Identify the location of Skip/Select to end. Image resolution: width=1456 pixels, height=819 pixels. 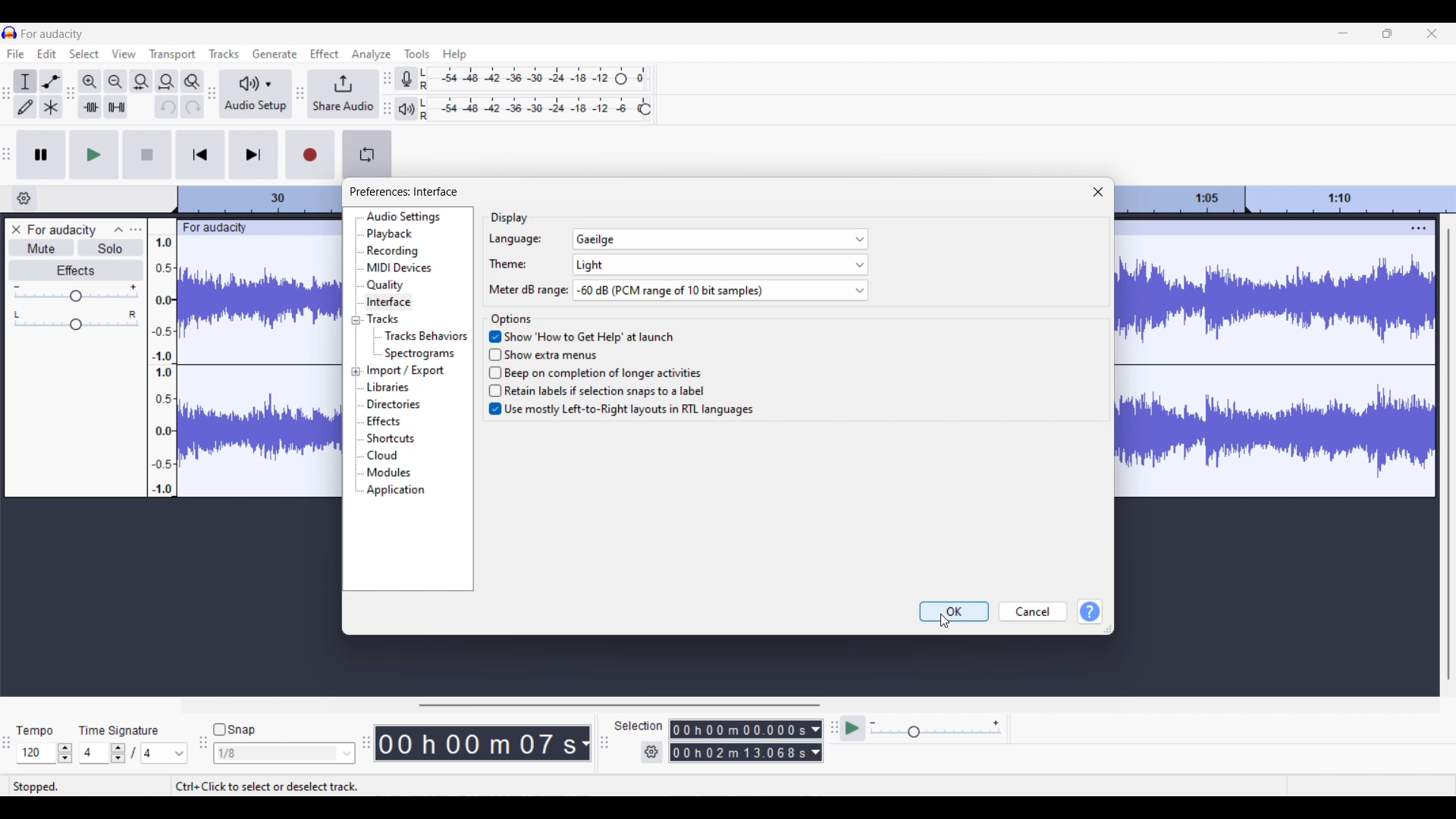
(254, 155).